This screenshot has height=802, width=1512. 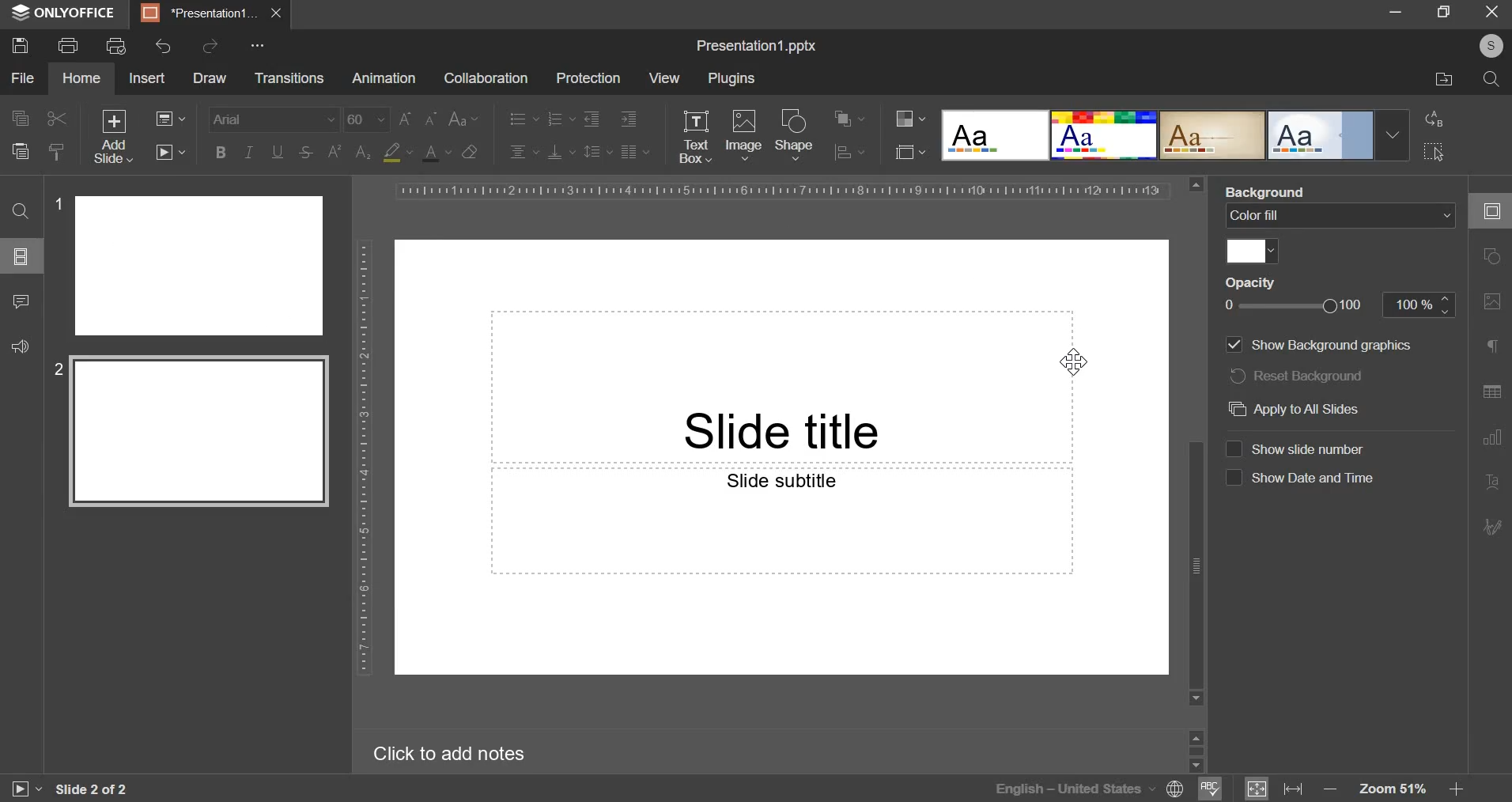 What do you see at coordinates (1176, 789) in the screenshot?
I see `set document language` at bounding box center [1176, 789].